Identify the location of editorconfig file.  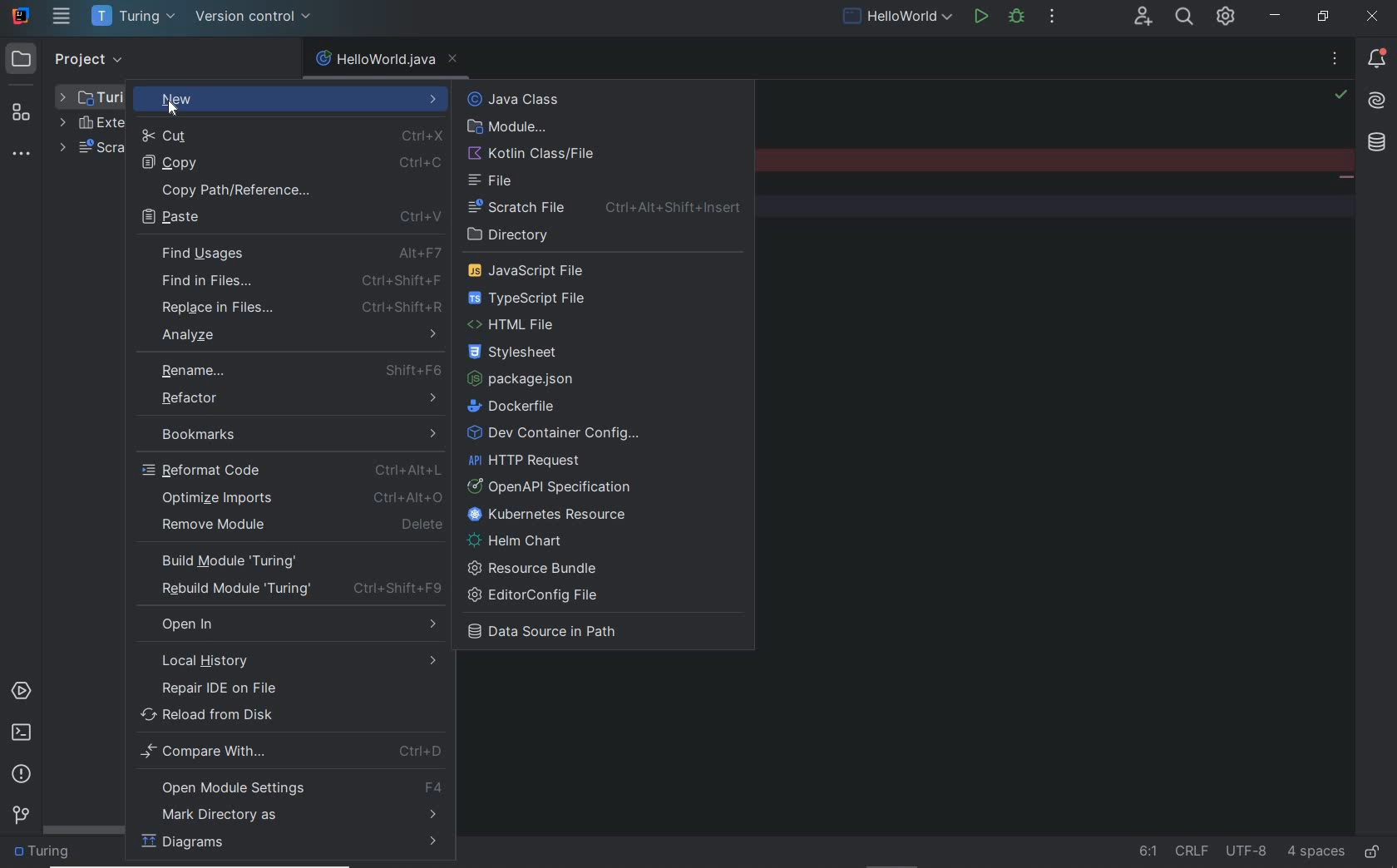
(538, 596).